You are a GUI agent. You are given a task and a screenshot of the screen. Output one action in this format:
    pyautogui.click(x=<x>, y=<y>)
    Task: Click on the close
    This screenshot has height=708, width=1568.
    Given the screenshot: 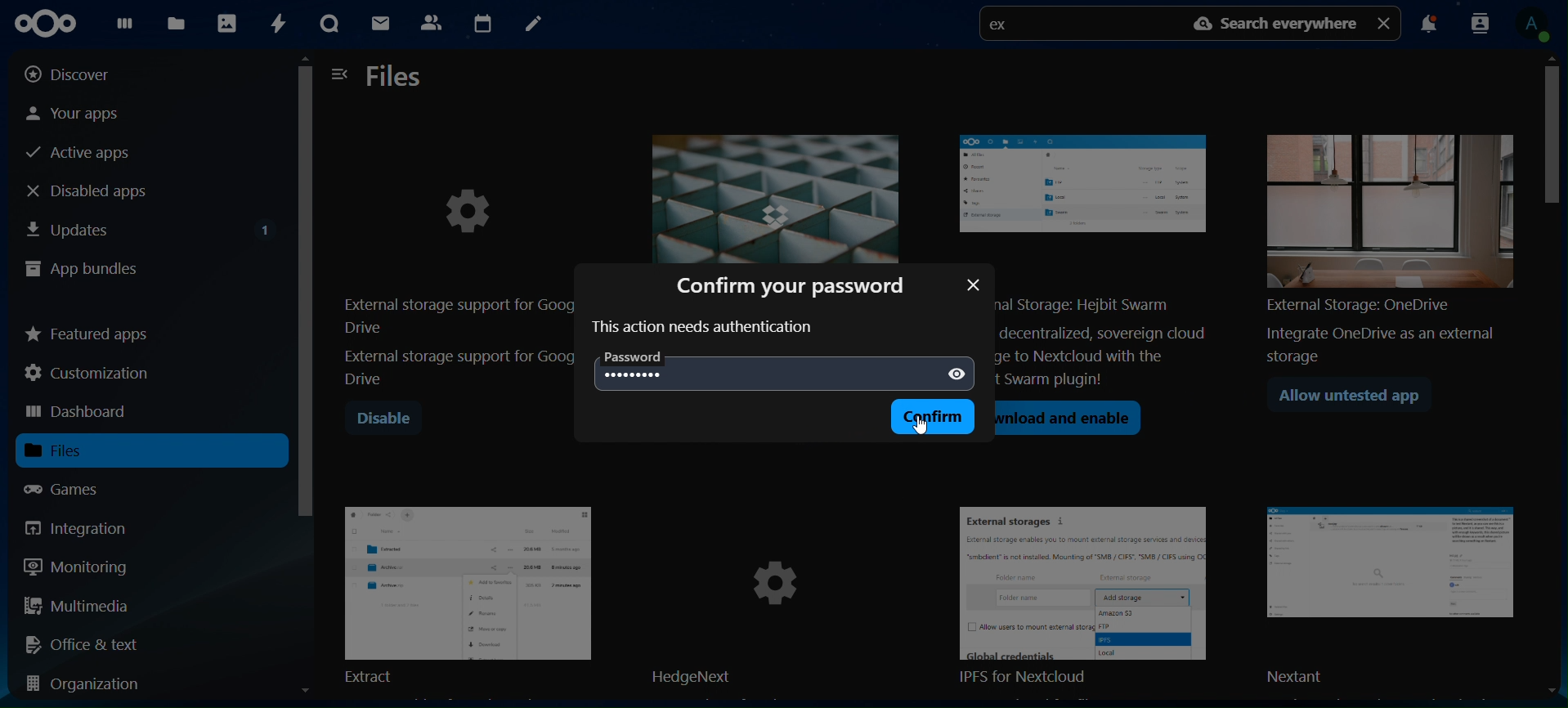 What is the action you would take?
    pyautogui.click(x=974, y=285)
    